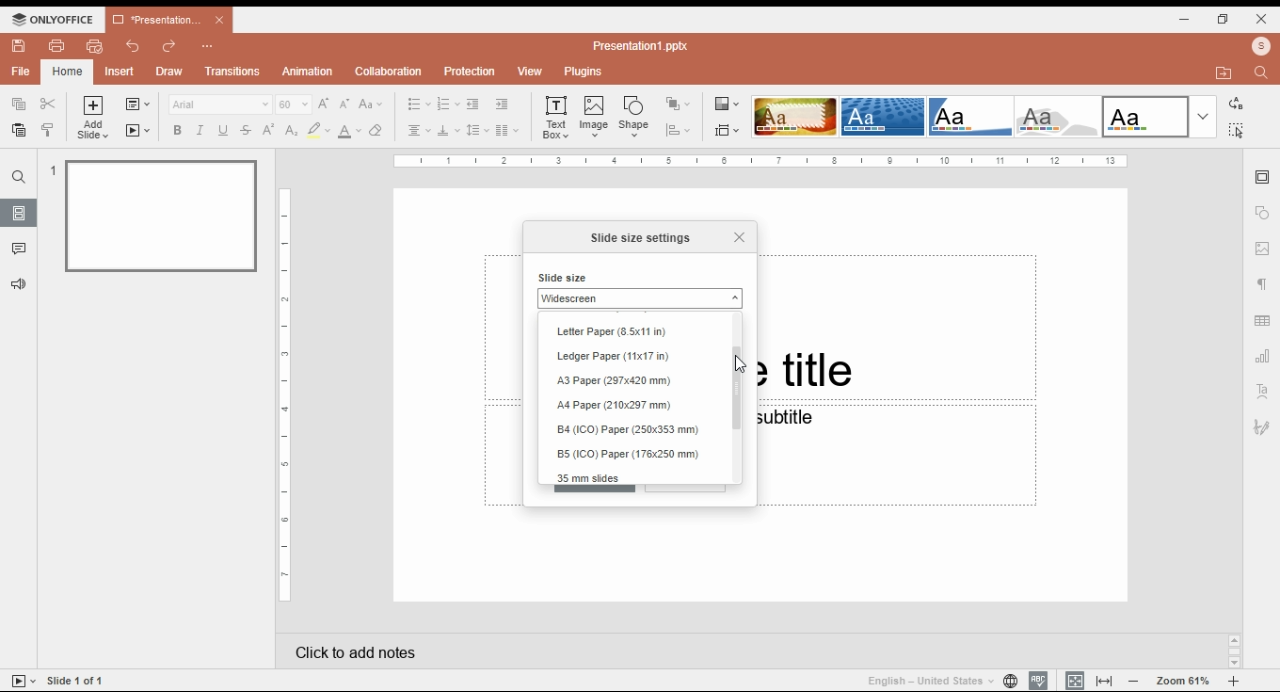 This screenshot has width=1280, height=692. Describe the element at coordinates (269, 129) in the screenshot. I see `superscript` at that location.